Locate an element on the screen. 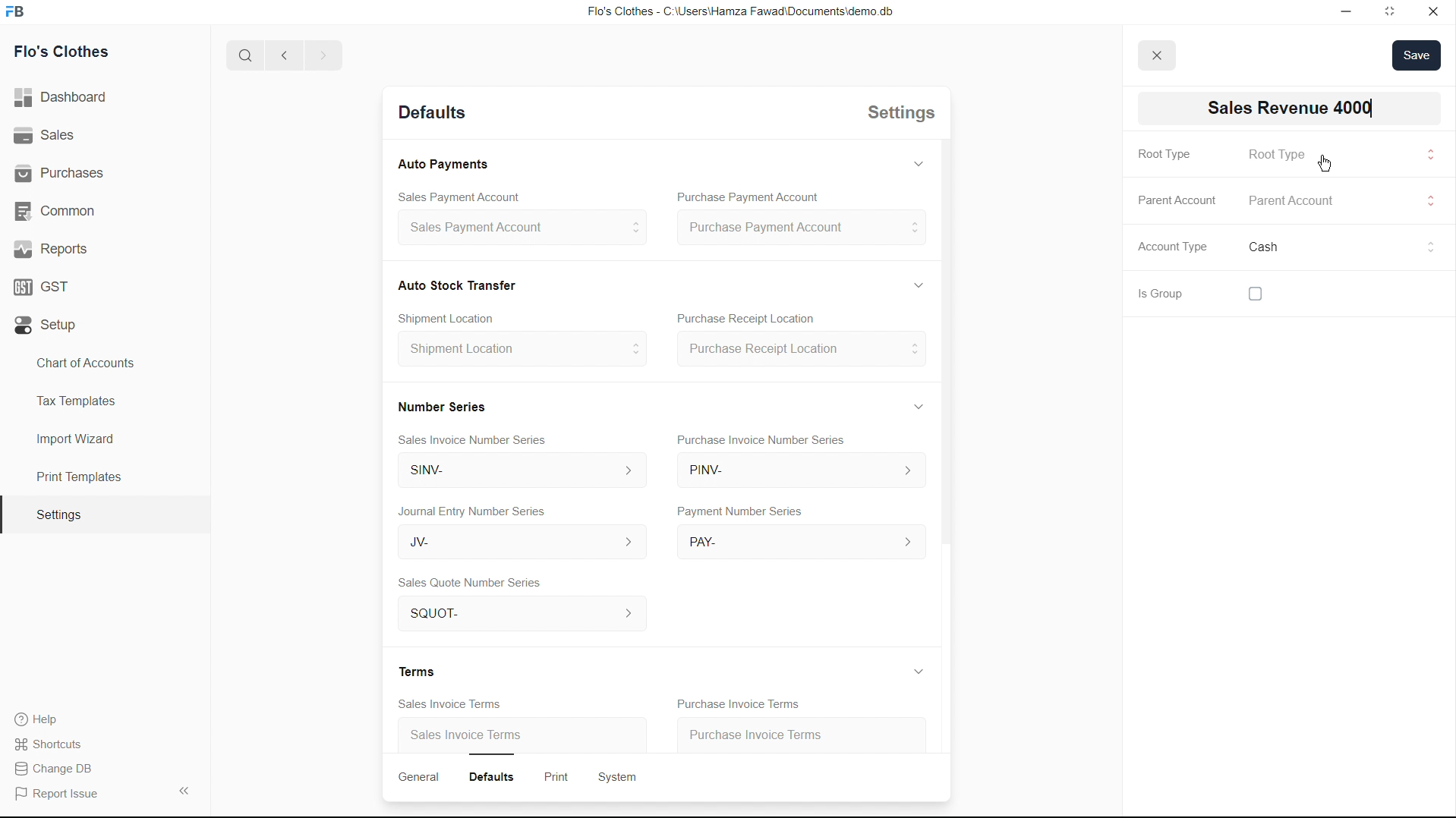 This screenshot has width=1456, height=818. Parent Account is located at coordinates (1304, 202).